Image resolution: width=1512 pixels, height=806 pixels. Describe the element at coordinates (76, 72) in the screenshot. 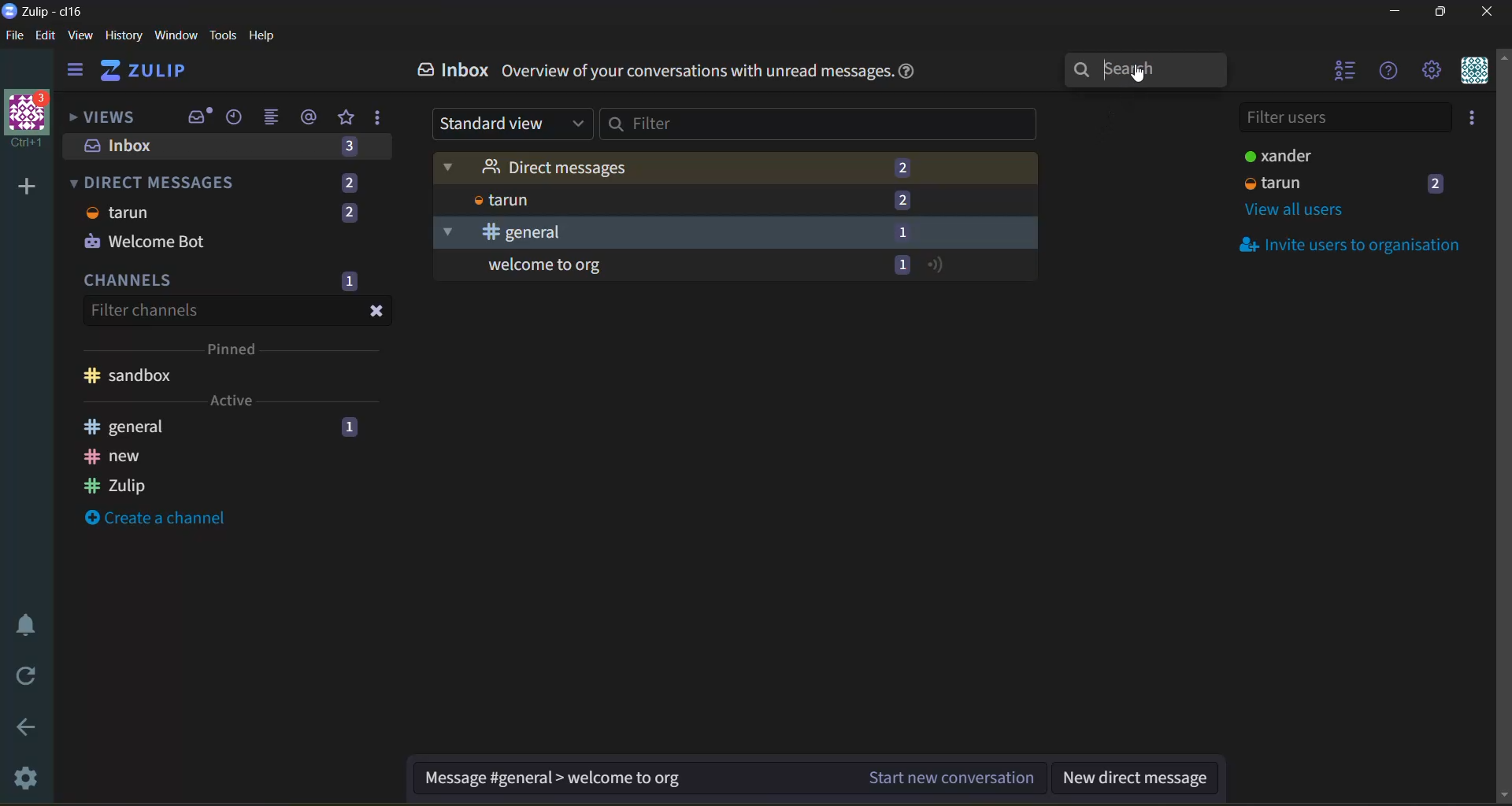

I see `hide sidebar` at that location.